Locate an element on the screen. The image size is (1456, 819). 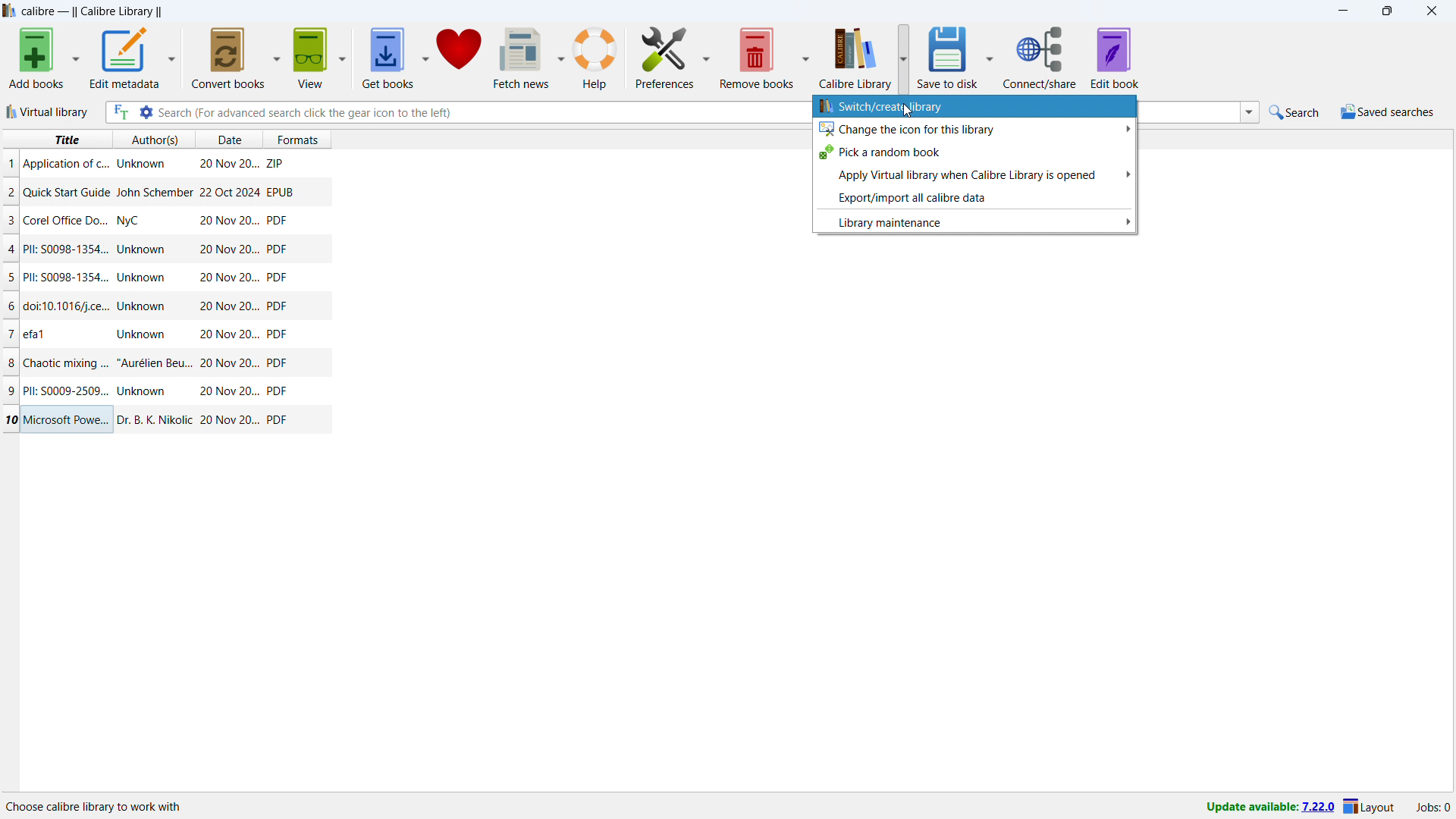
PDF is located at coordinates (277, 278).